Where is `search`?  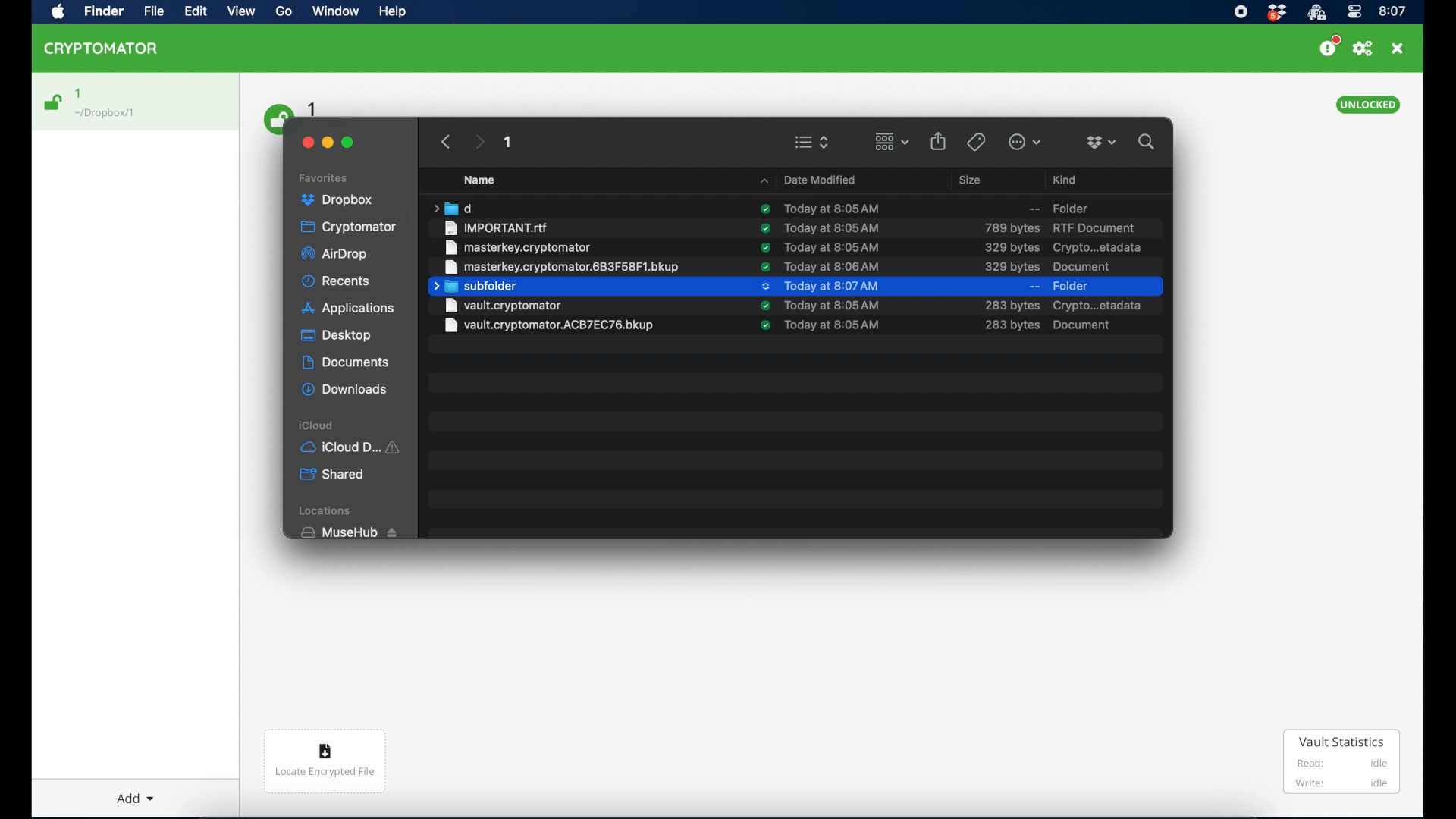 search is located at coordinates (1147, 140).